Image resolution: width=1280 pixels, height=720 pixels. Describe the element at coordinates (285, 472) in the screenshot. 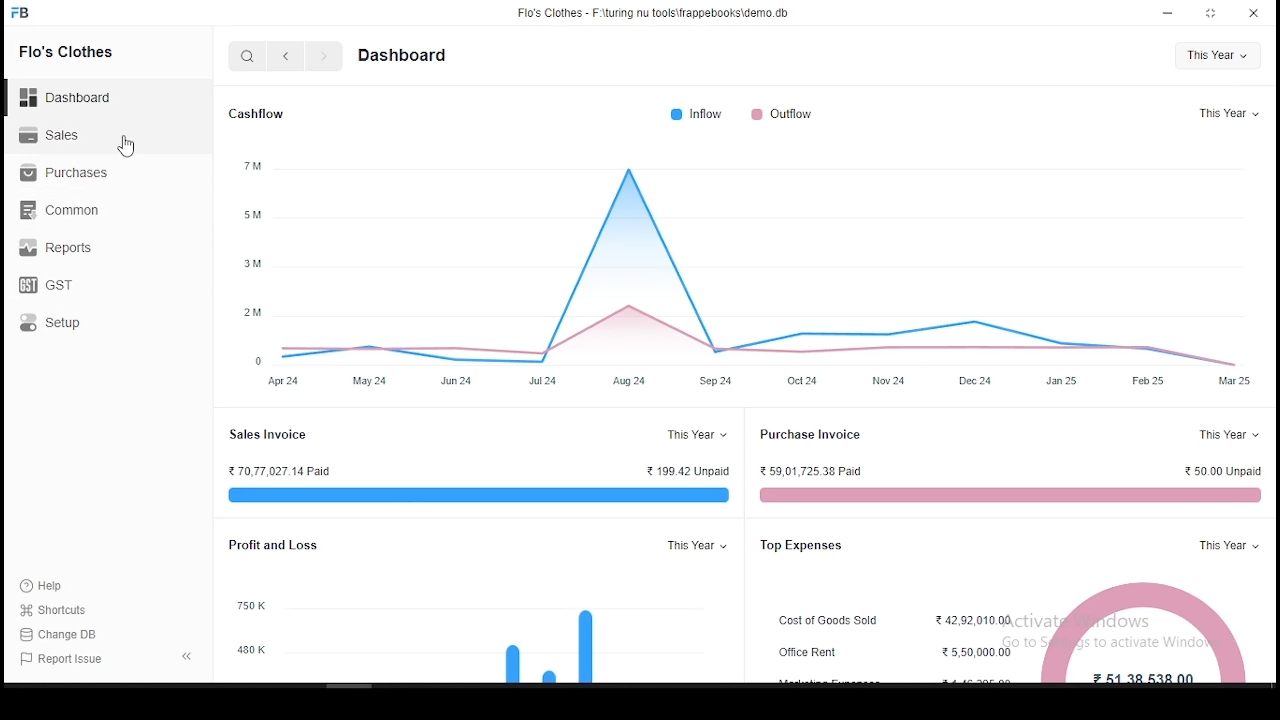

I see `270,77,027.14 Paid` at that location.